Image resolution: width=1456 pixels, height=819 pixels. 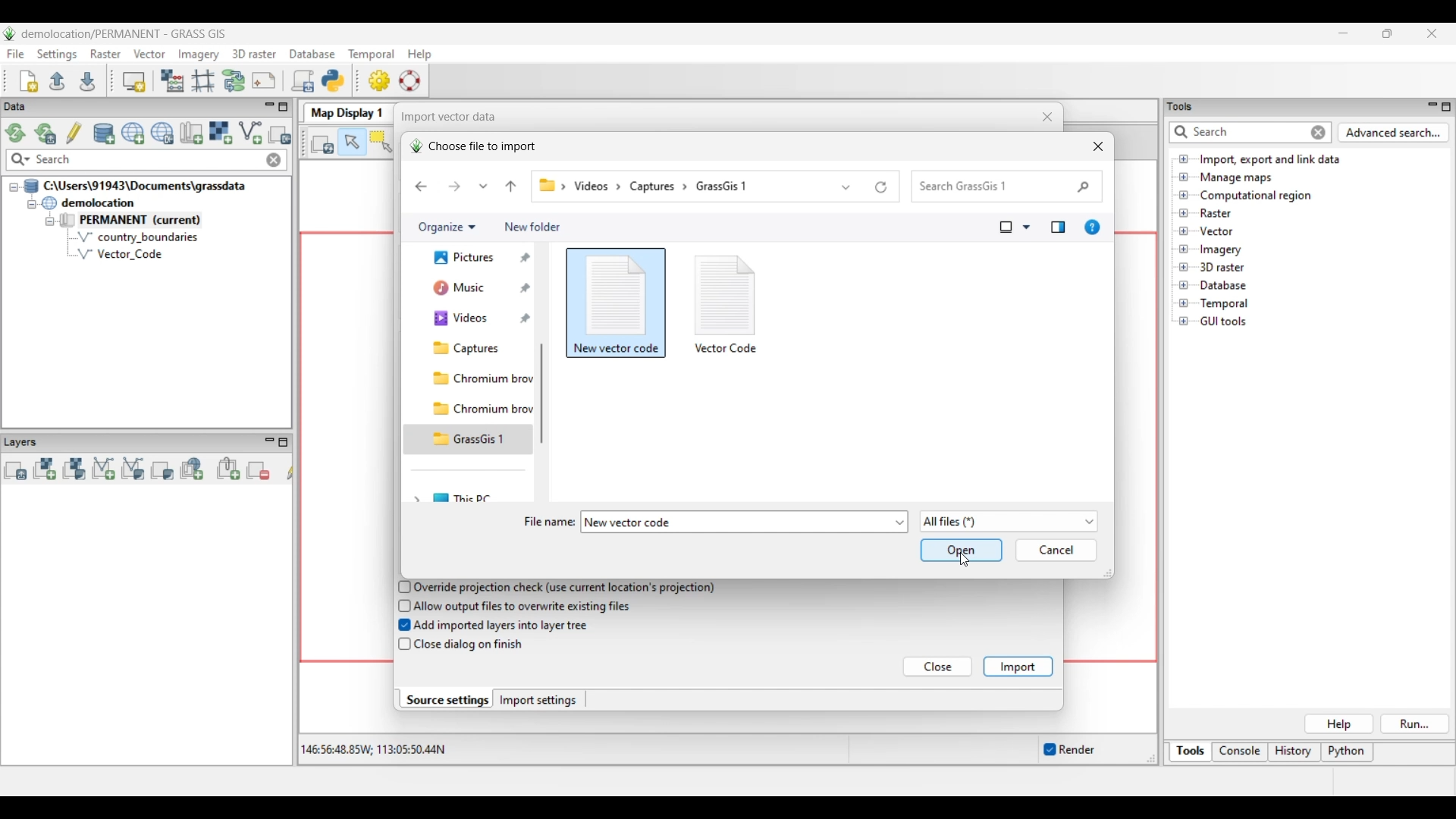 What do you see at coordinates (1237, 178) in the screenshot?
I see `Double click to see files under Manage maps` at bounding box center [1237, 178].